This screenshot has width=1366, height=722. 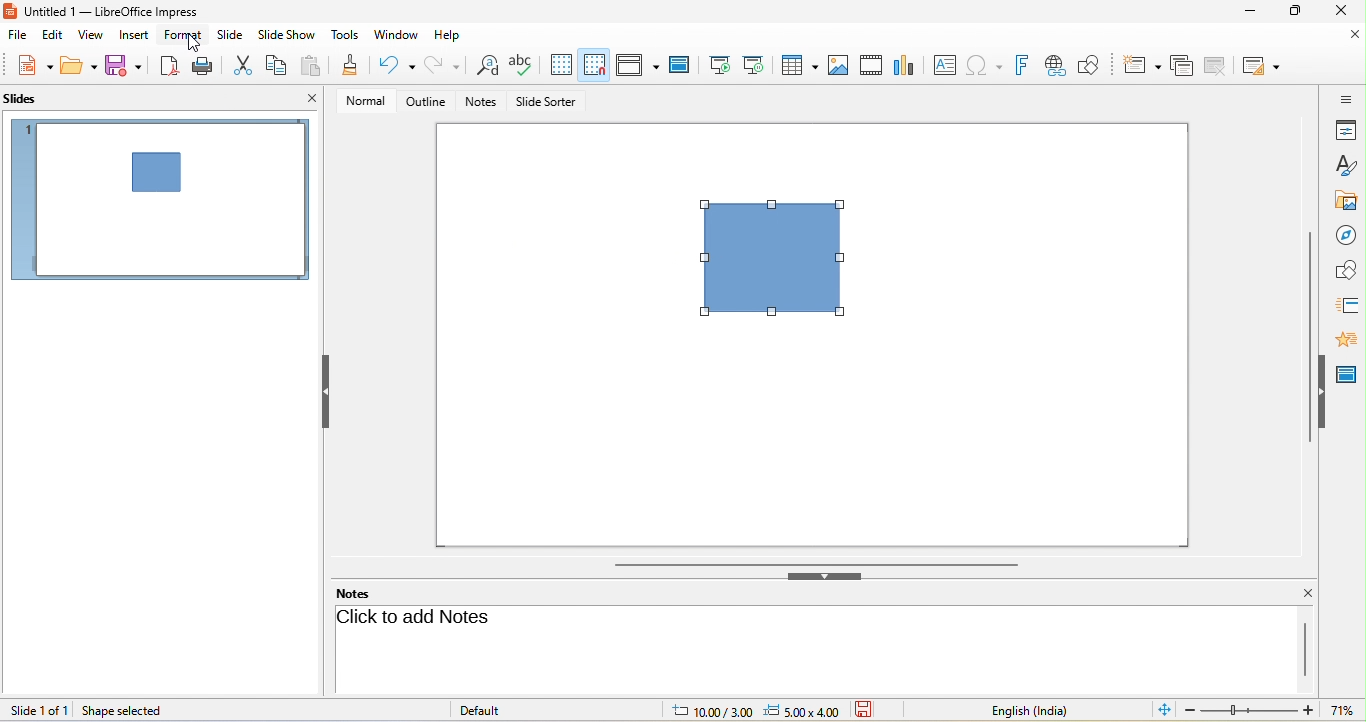 What do you see at coordinates (277, 64) in the screenshot?
I see `copy` at bounding box center [277, 64].